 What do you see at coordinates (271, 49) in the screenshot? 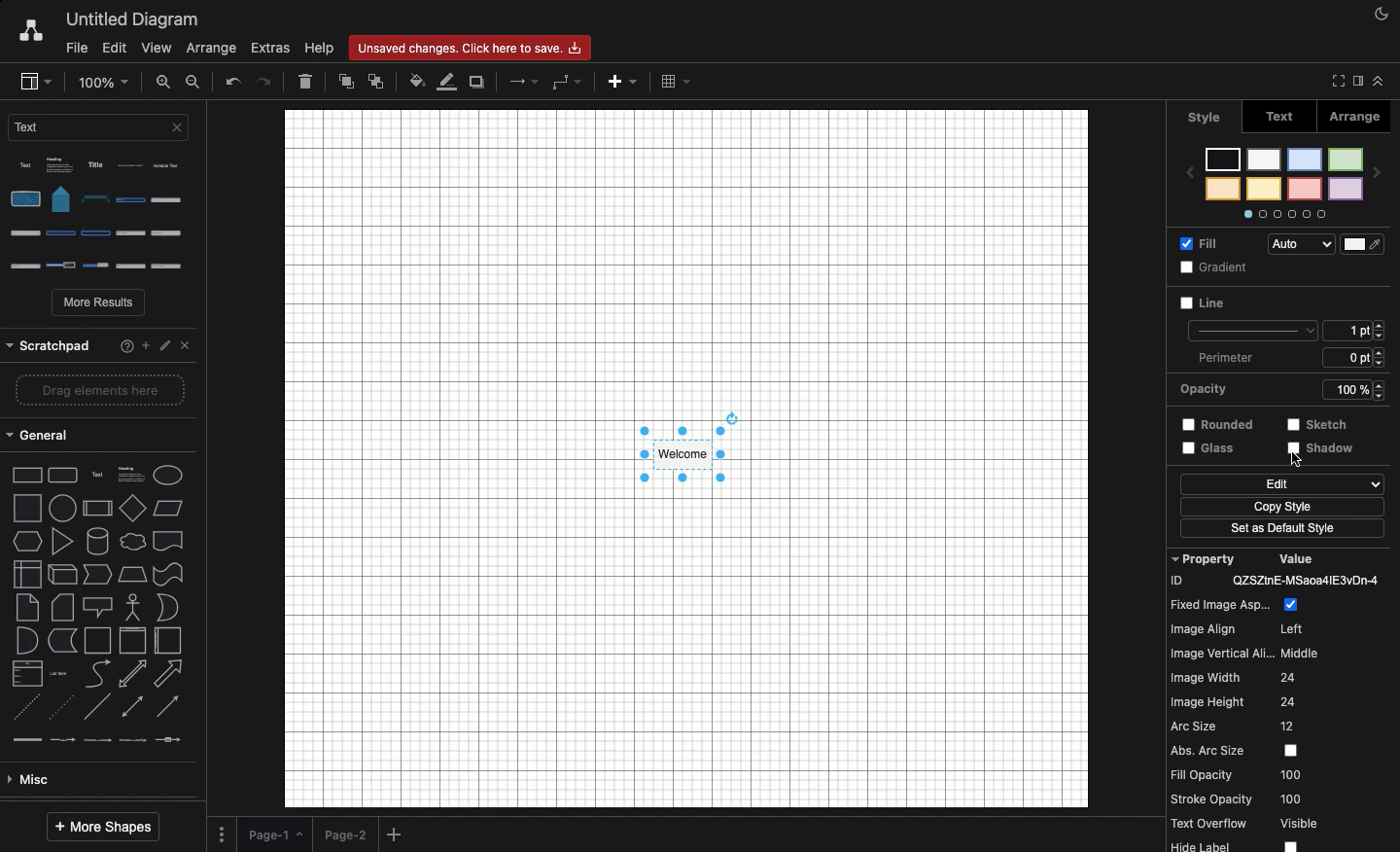
I see `Extras` at bounding box center [271, 49].